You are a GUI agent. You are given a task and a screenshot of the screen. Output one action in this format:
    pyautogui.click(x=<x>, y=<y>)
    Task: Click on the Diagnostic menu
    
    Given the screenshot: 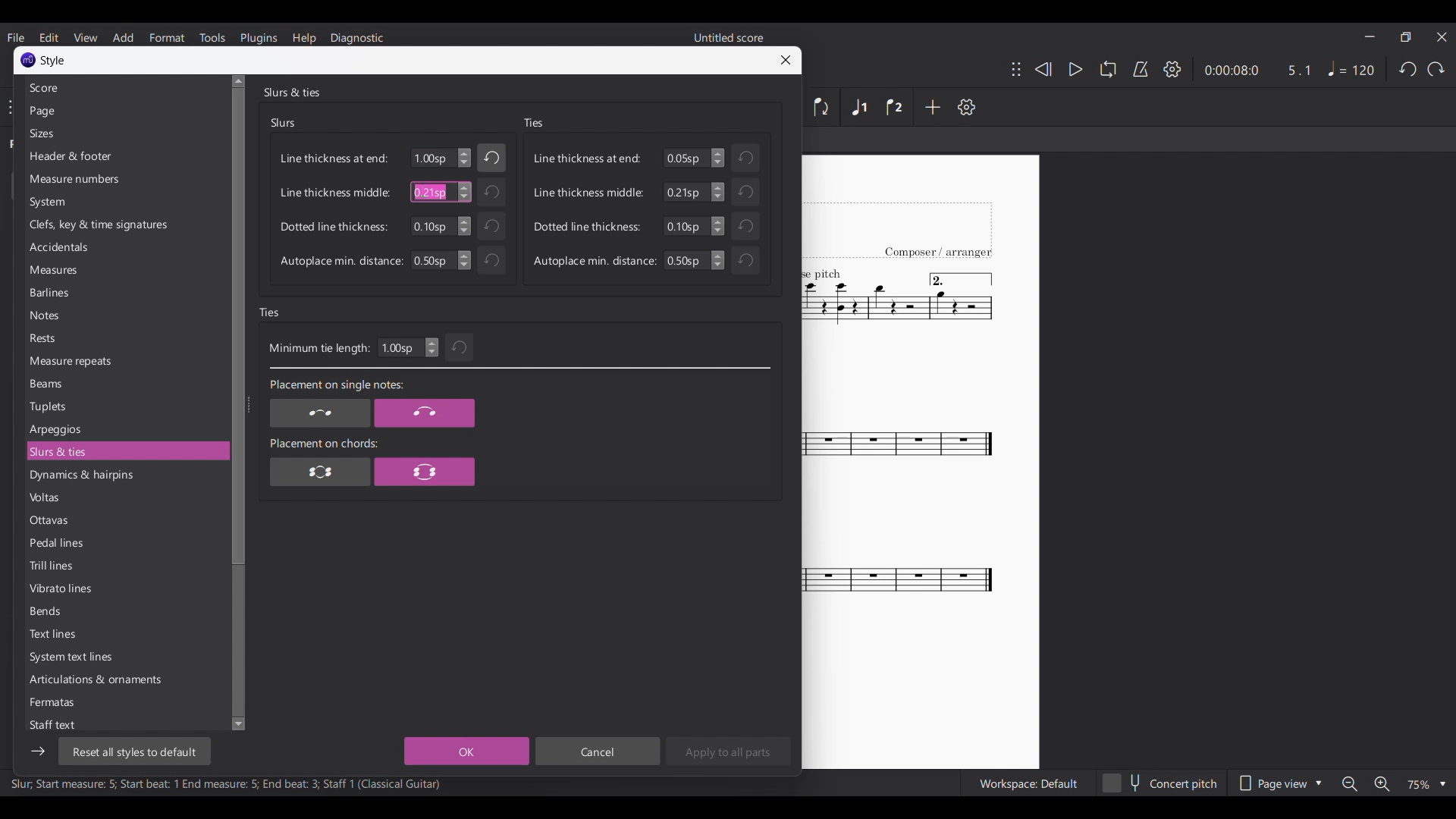 What is the action you would take?
    pyautogui.click(x=356, y=39)
    